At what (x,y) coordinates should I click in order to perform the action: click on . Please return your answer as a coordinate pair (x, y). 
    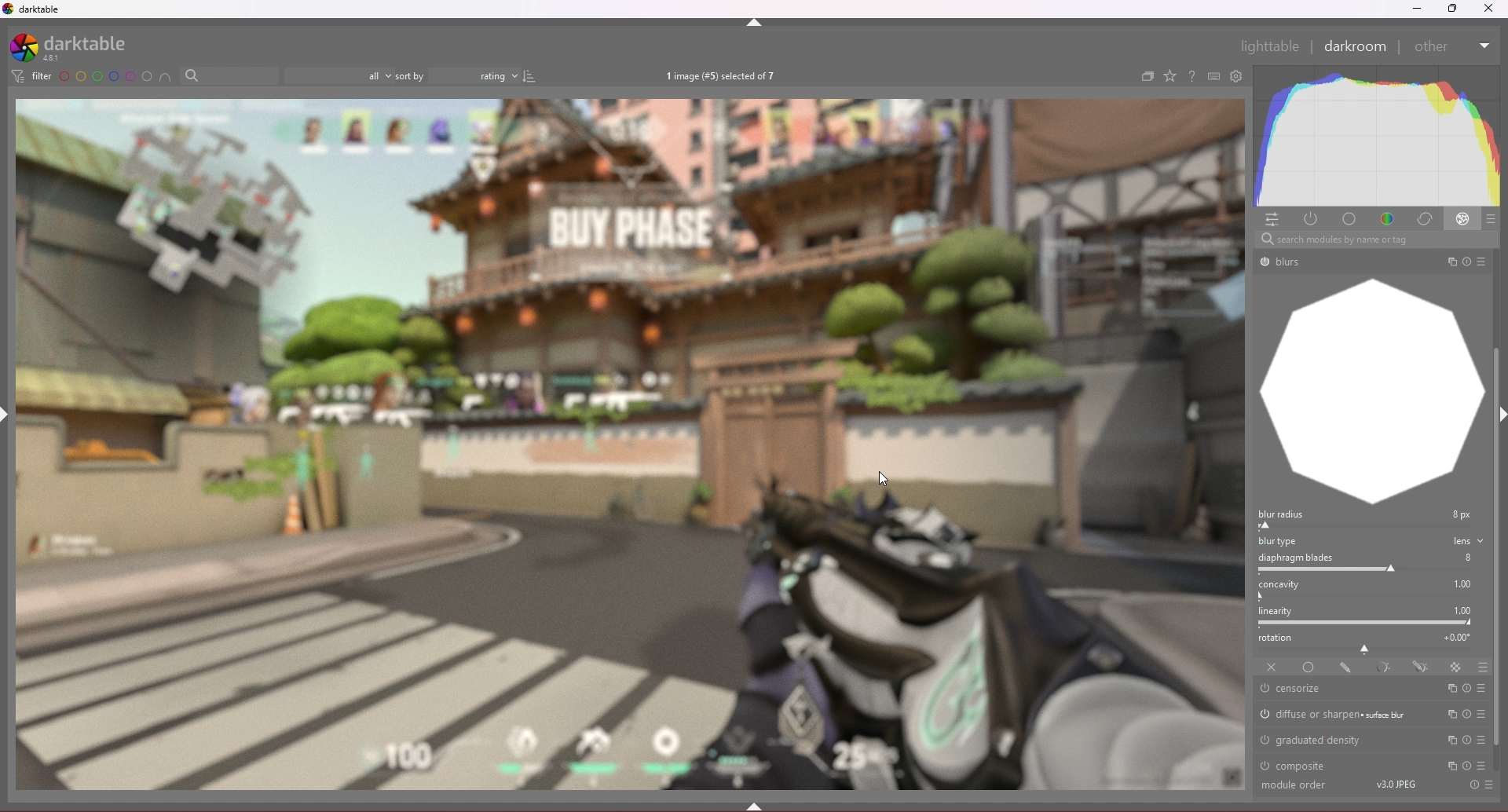
    Looking at the image, I should click on (1466, 767).